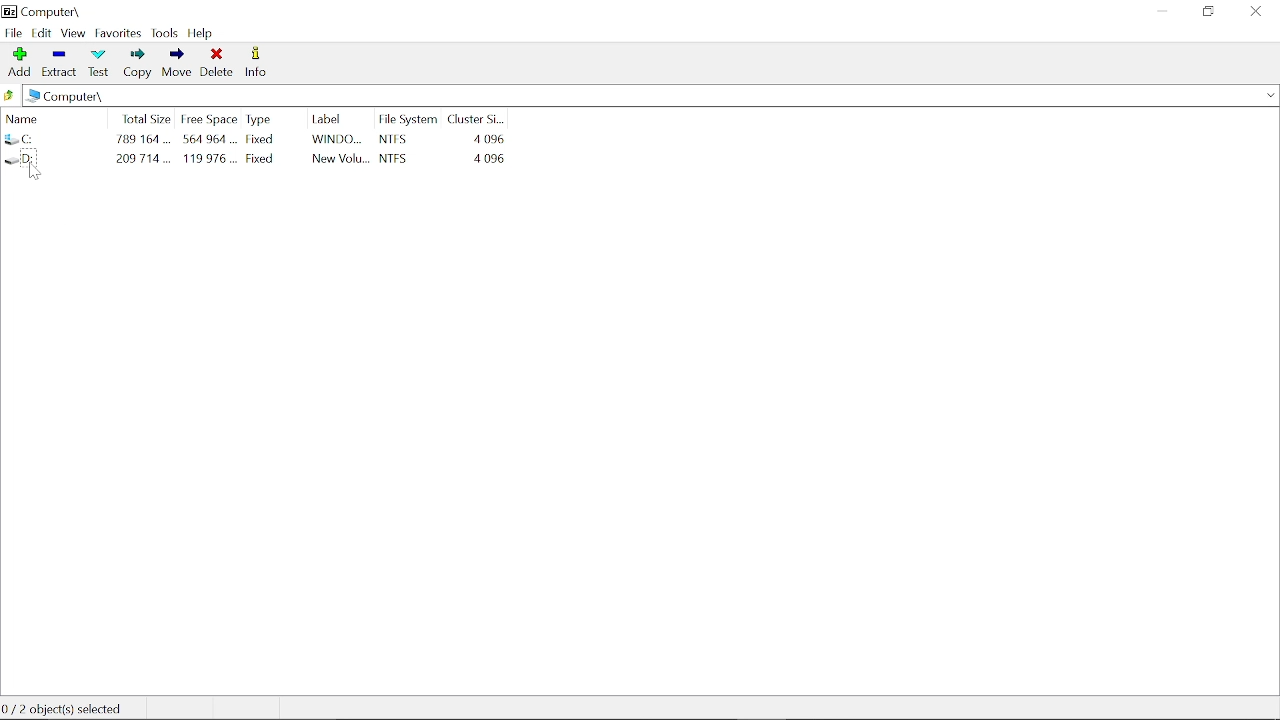 The height and width of the screenshot is (720, 1280). Describe the element at coordinates (98, 62) in the screenshot. I see `test` at that location.